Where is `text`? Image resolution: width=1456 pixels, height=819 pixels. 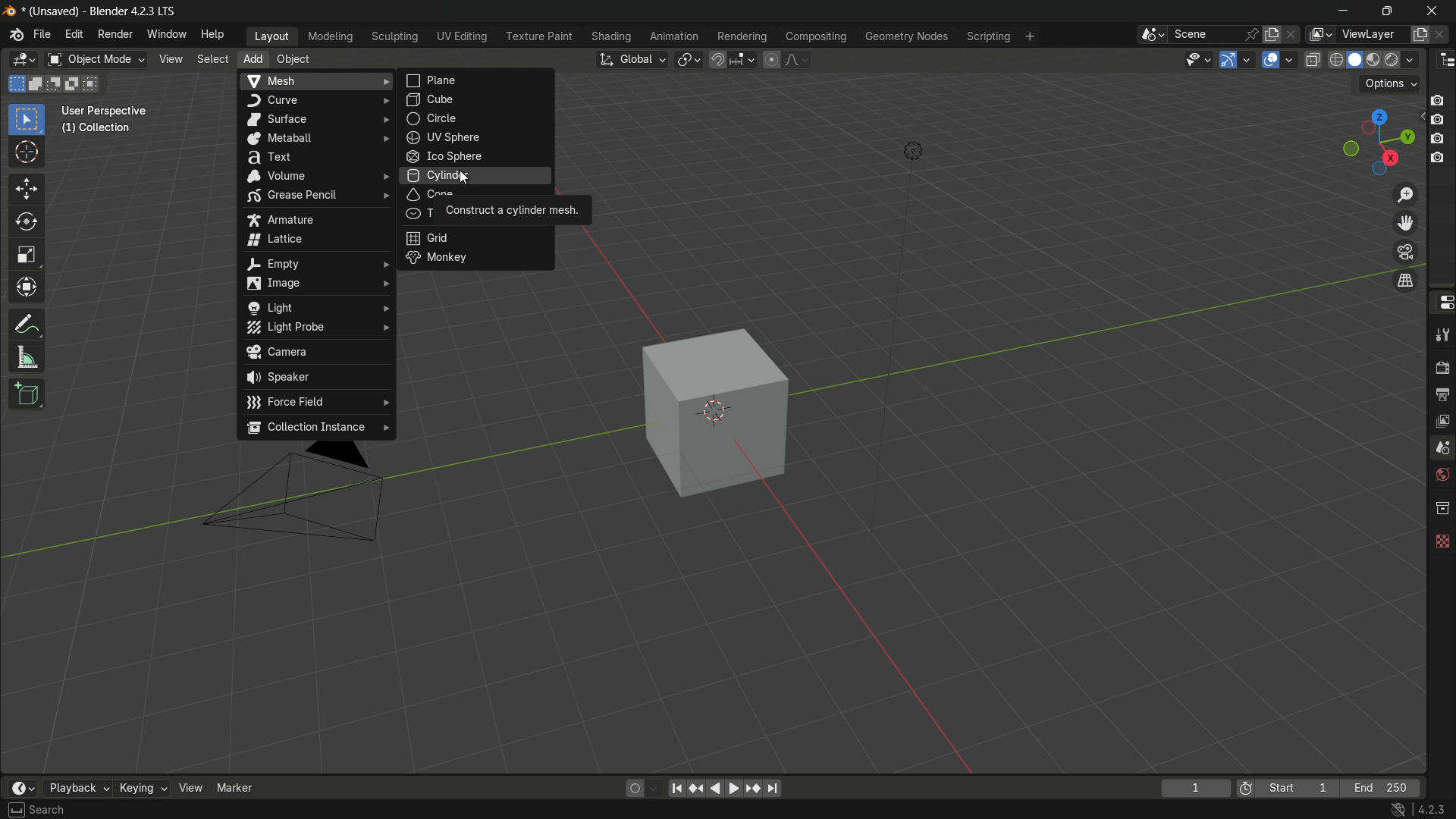
text is located at coordinates (316, 157).